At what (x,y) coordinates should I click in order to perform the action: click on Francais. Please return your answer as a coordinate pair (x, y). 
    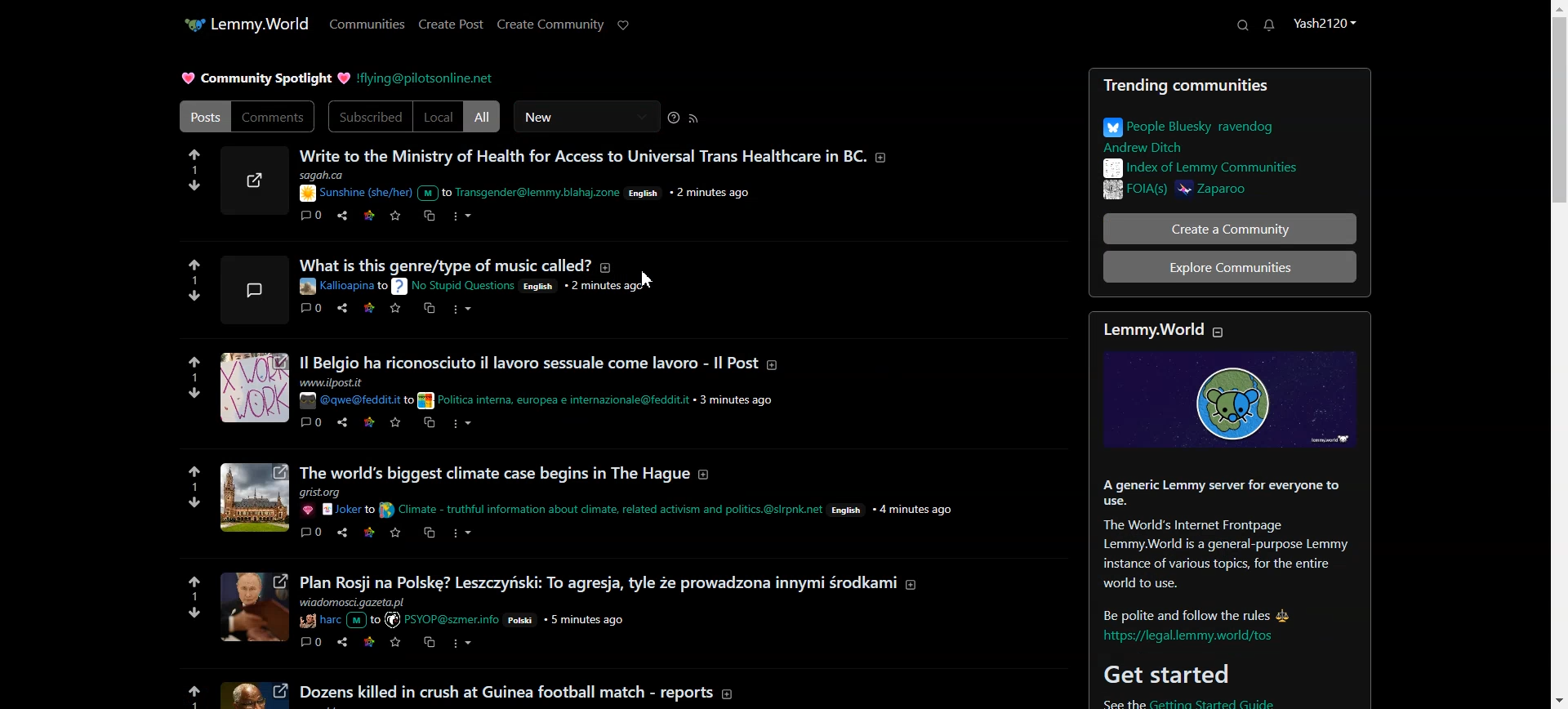
    Looking at the image, I should click on (650, 193).